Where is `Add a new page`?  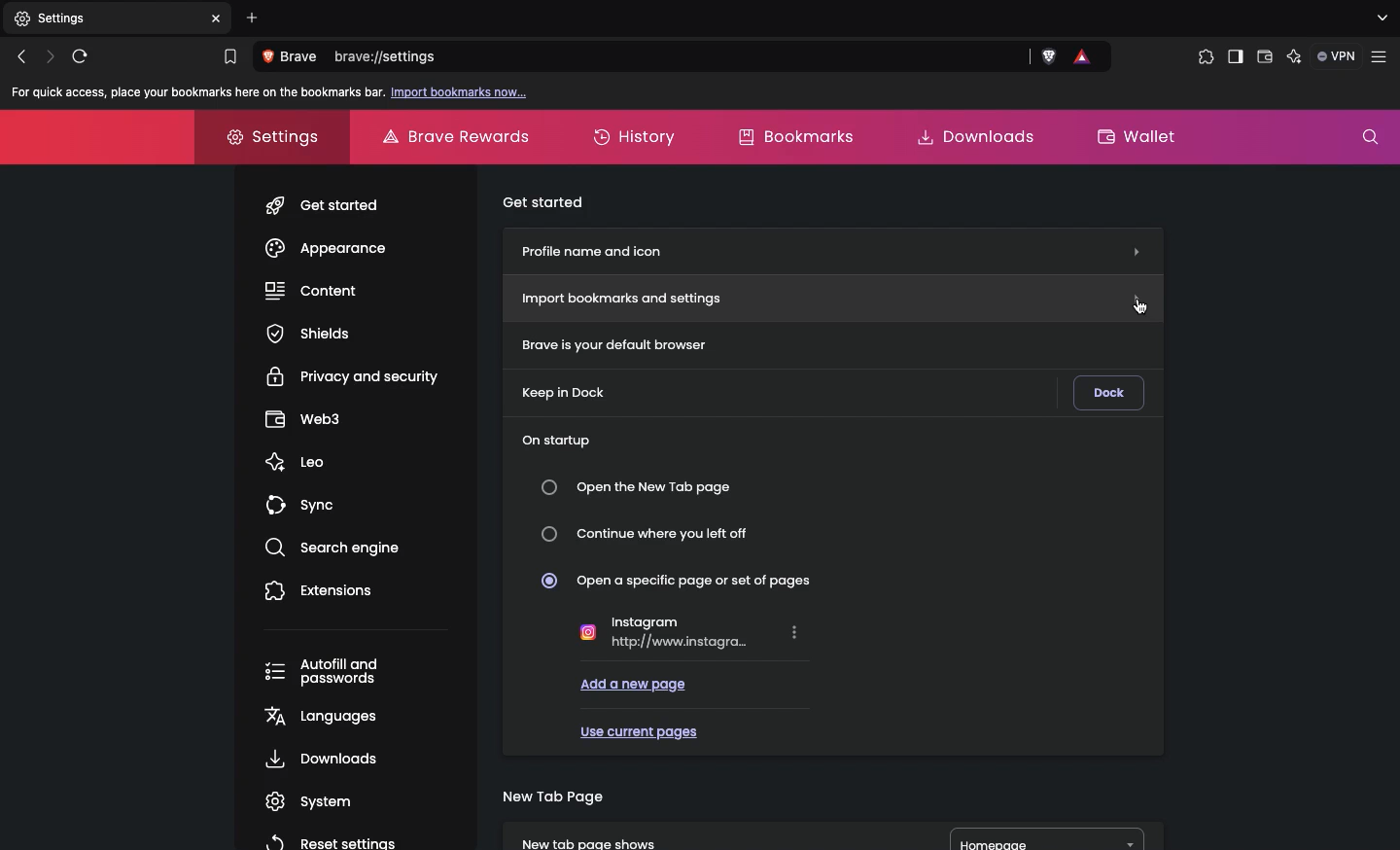
Add a new page is located at coordinates (634, 683).